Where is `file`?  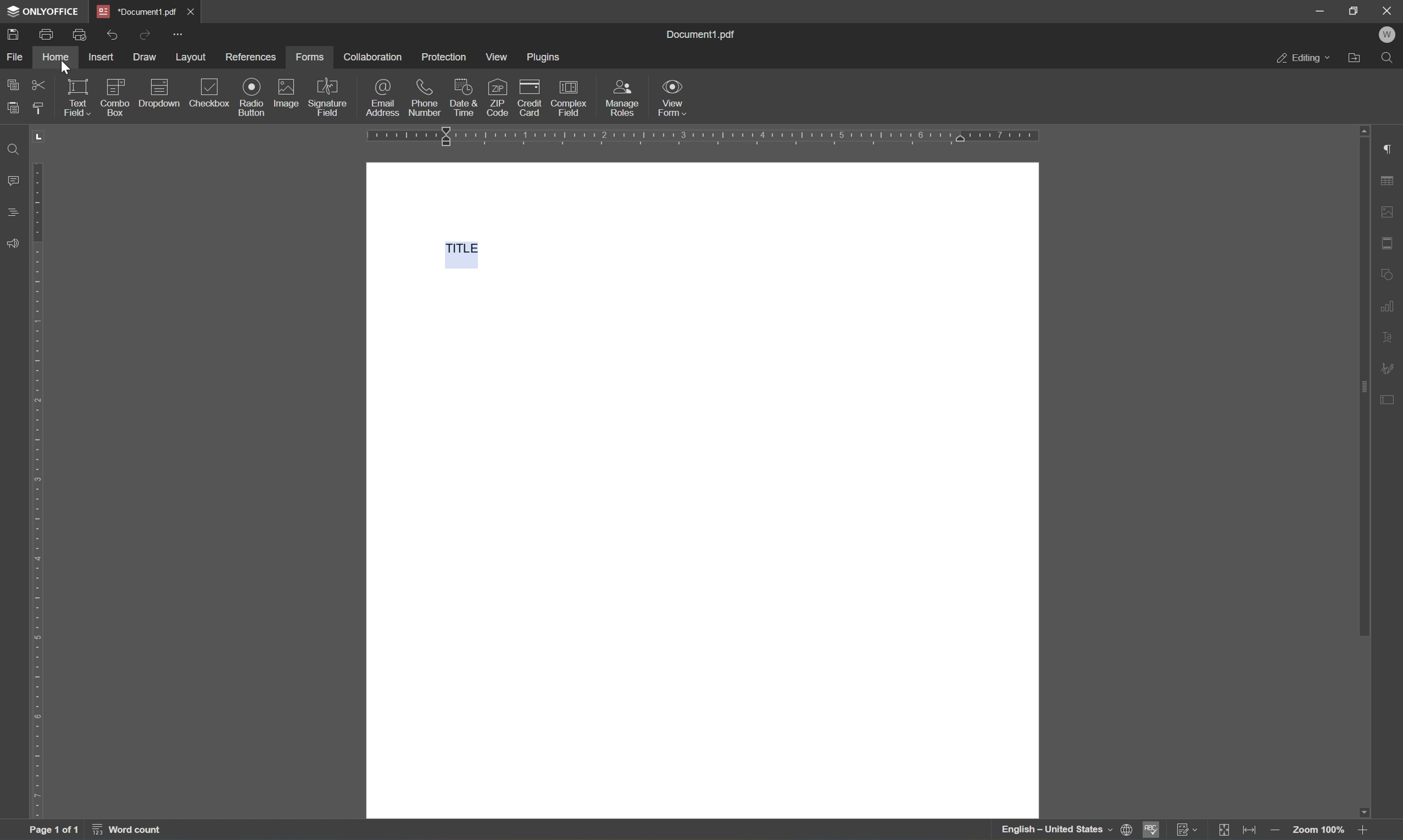
file is located at coordinates (15, 55).